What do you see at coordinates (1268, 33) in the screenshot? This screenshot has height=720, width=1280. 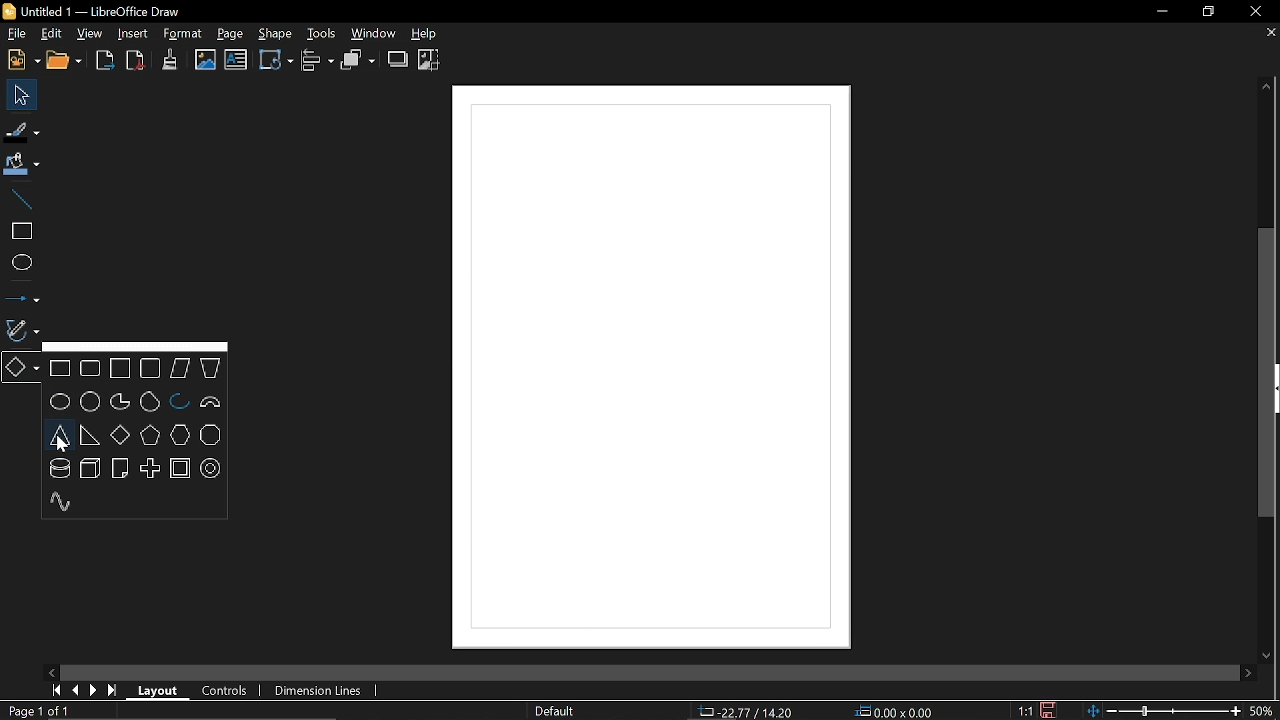 I see `Close page` at bounding box center [1268, 33].